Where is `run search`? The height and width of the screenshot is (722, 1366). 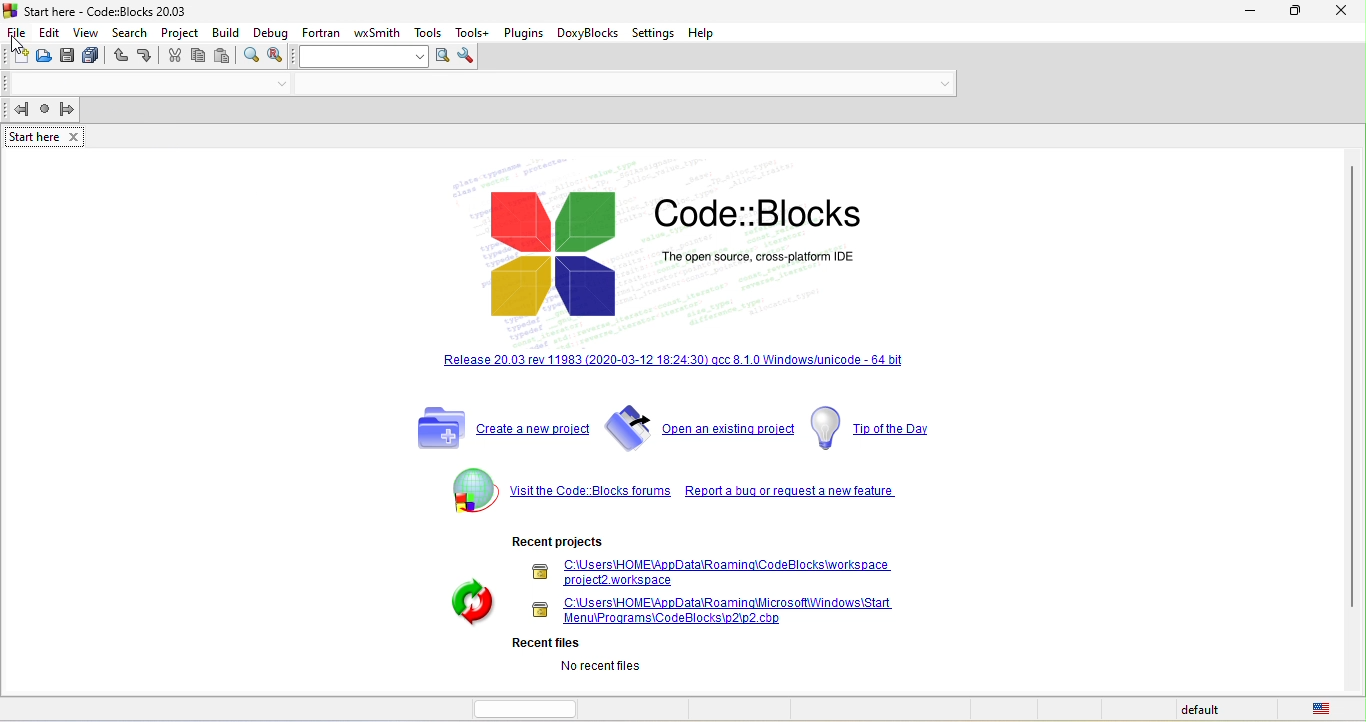 run search is located at coordinates (441, 57).